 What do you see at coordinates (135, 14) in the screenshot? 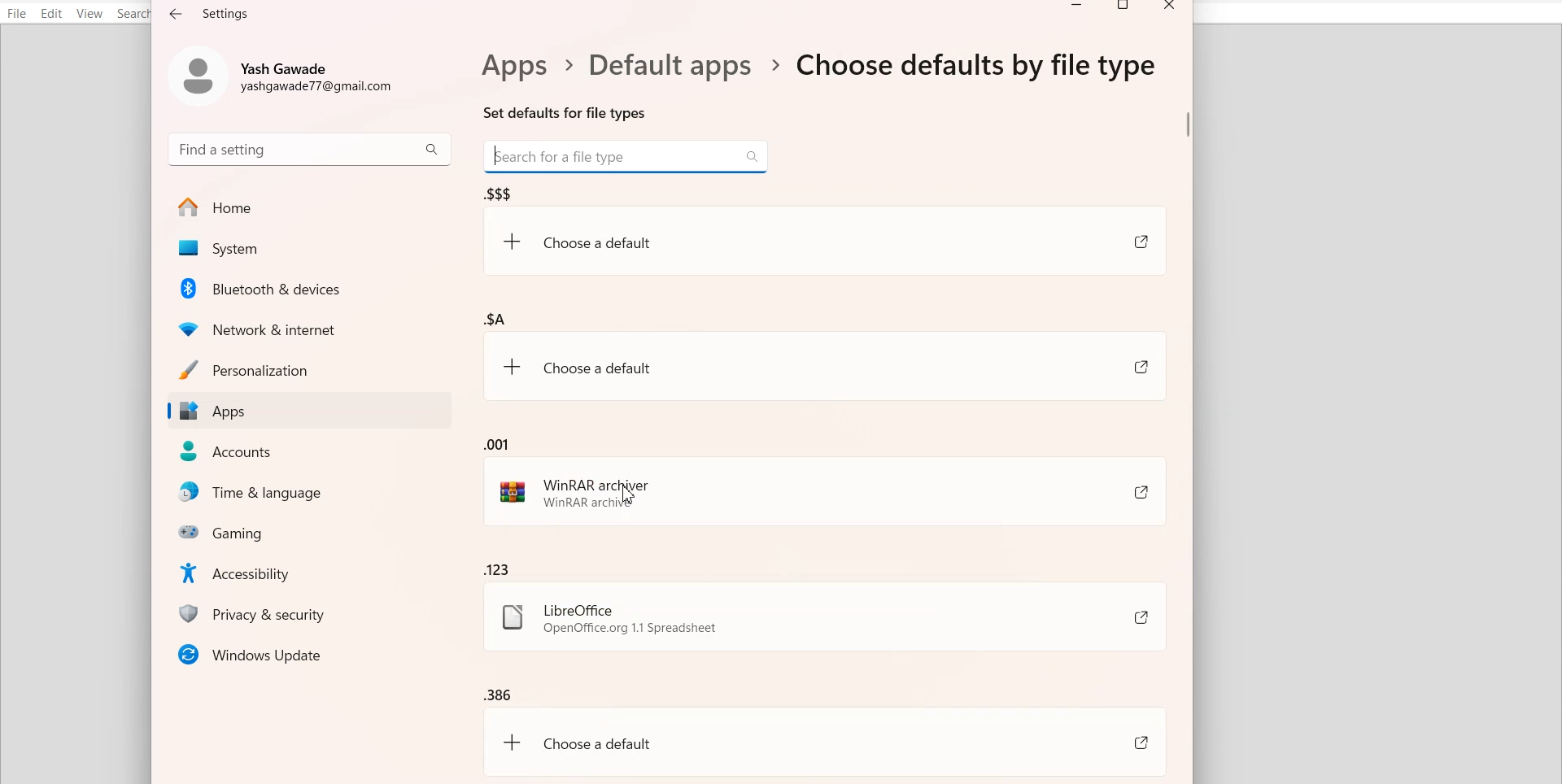
I see `Search` at bounding box center [135, 14].